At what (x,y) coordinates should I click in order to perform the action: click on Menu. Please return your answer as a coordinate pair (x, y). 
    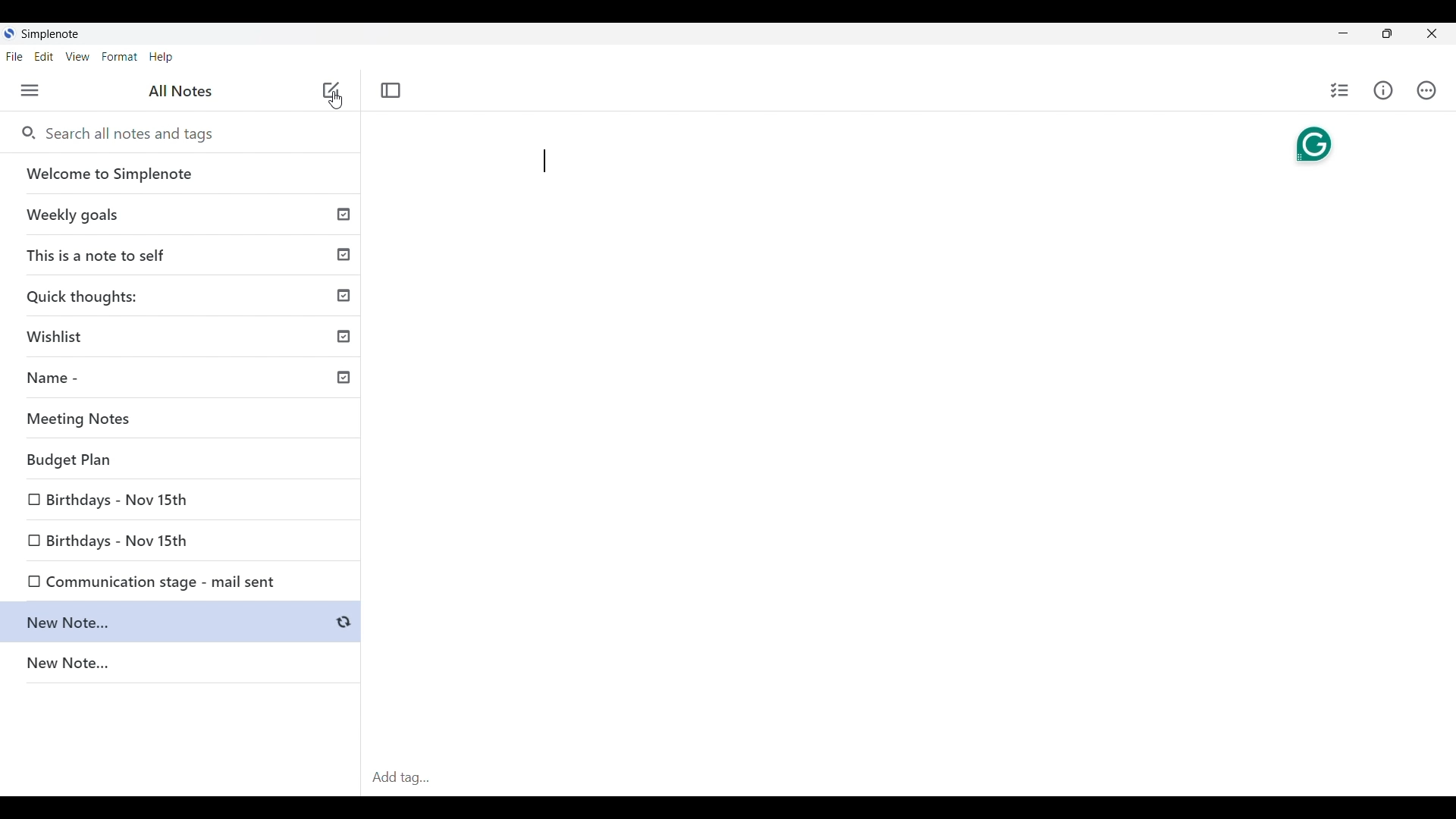
    Looking at the image, I should click on (30, 90).